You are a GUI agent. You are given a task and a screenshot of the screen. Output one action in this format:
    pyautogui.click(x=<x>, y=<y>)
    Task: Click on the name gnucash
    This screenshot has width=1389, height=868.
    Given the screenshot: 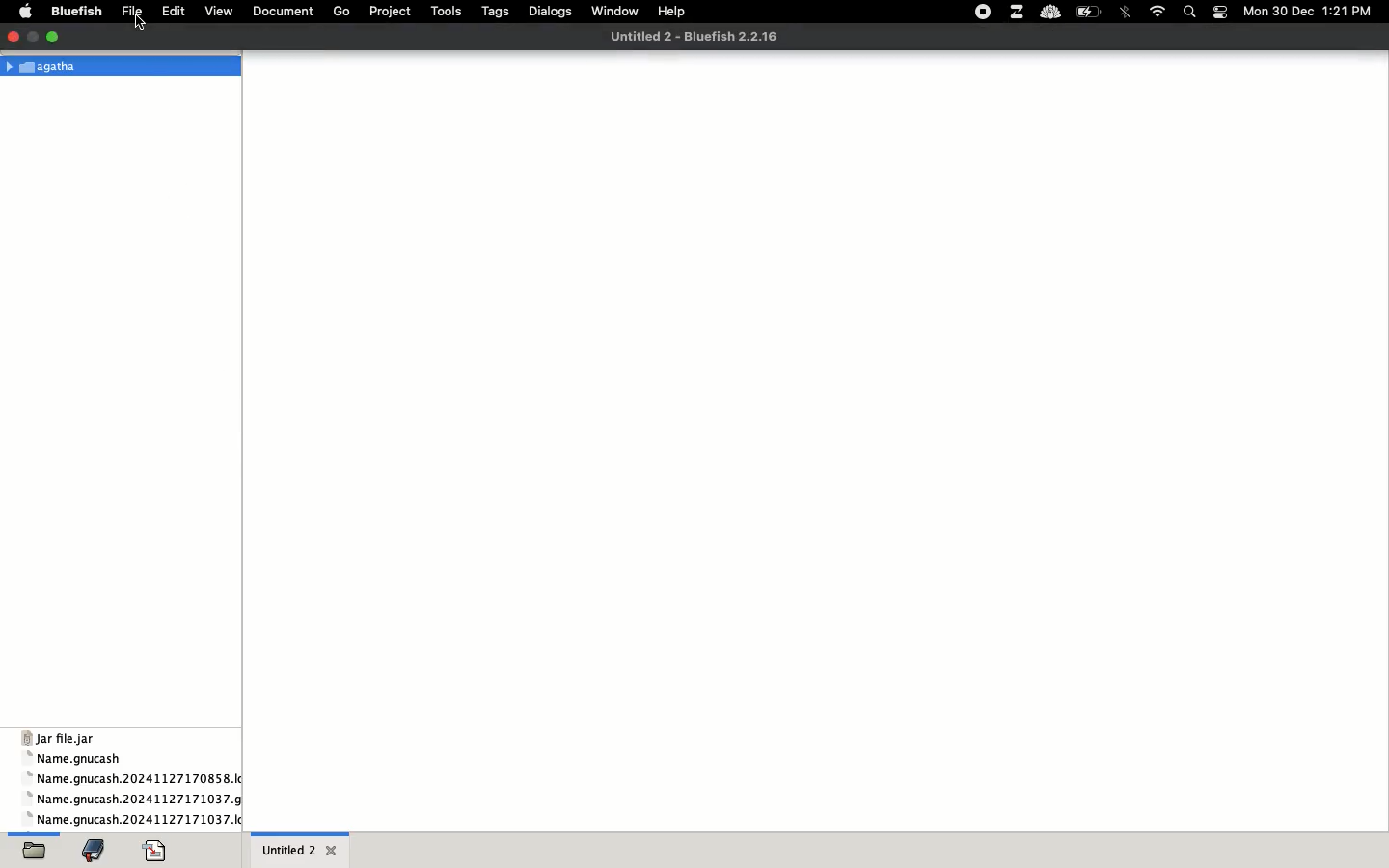 What is the action you would take?
    pyautogui.click(x=73, y=759)
    